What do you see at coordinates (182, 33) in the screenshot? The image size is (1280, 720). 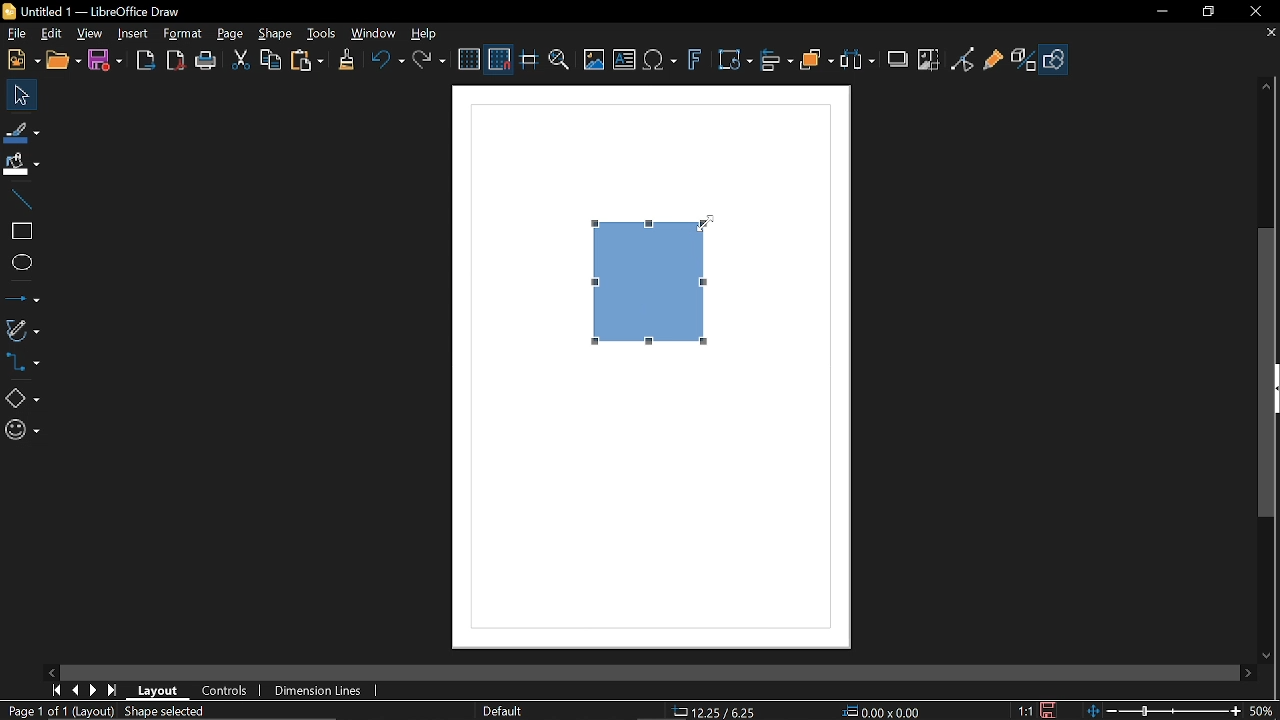 I see `Format` at bounding box center [182, 33].